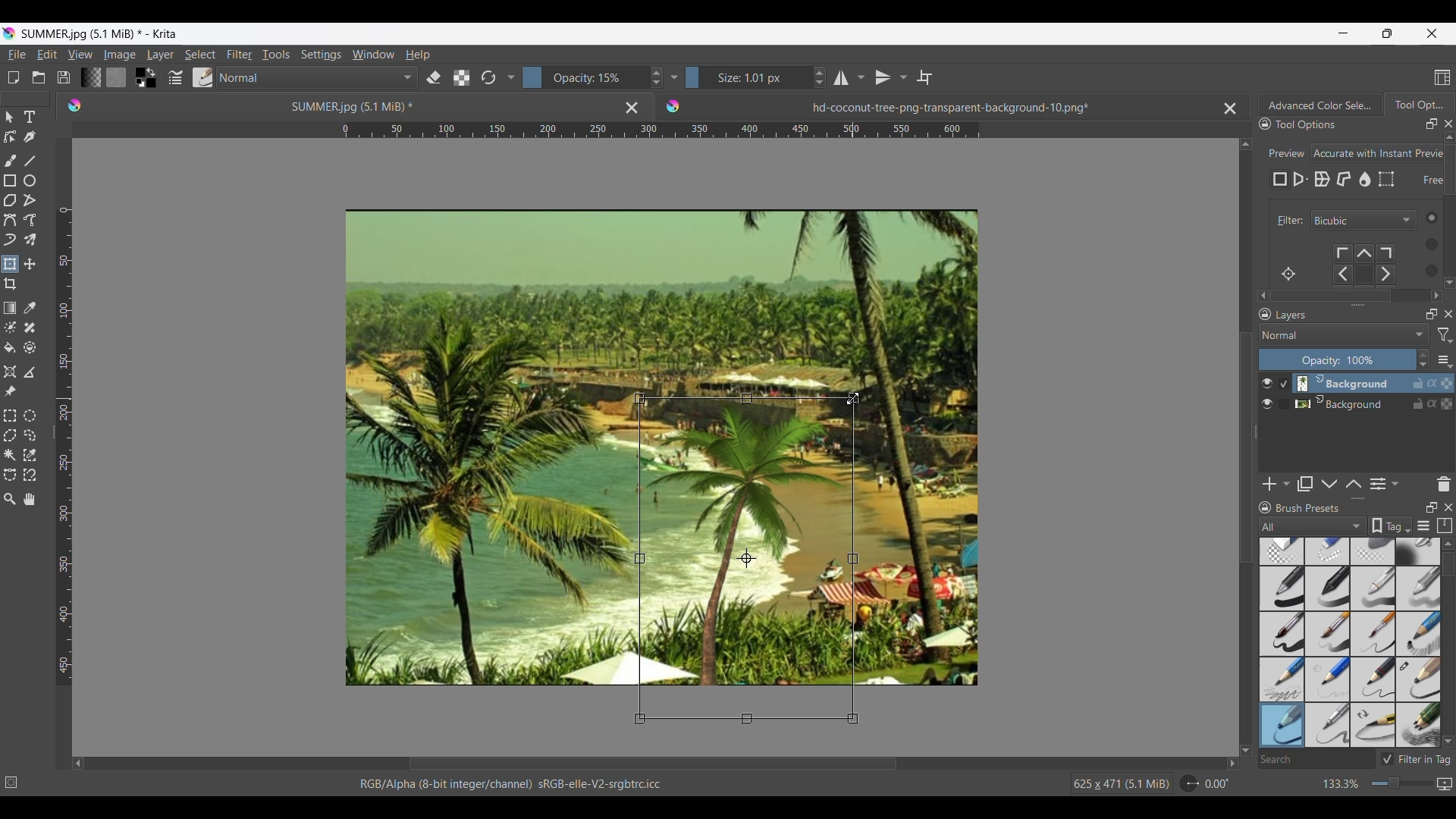  Describe the element at coordinates (1447, 380) in the screenshot. I see `Maximize` at that location.